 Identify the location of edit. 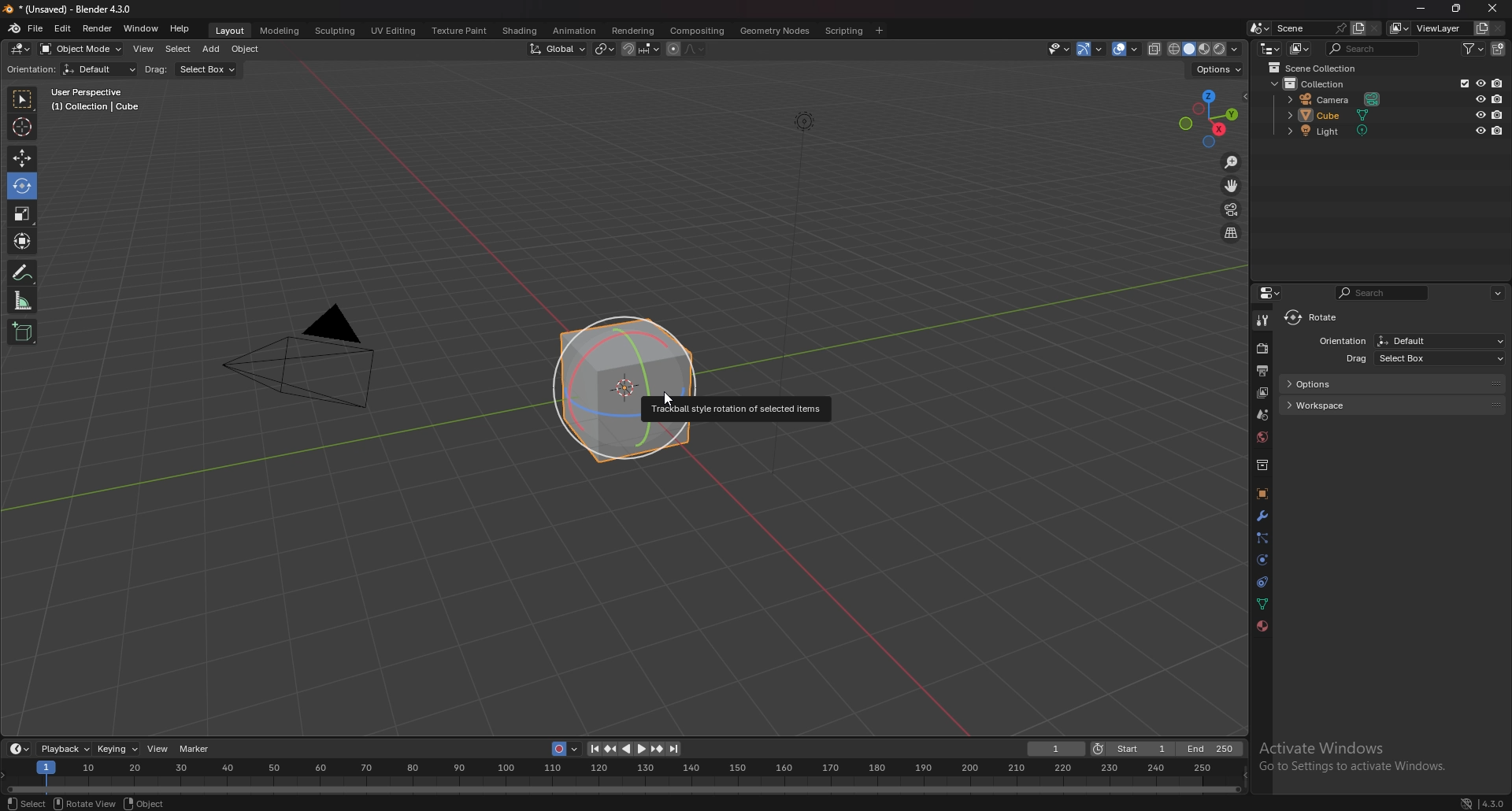
(62, 28).